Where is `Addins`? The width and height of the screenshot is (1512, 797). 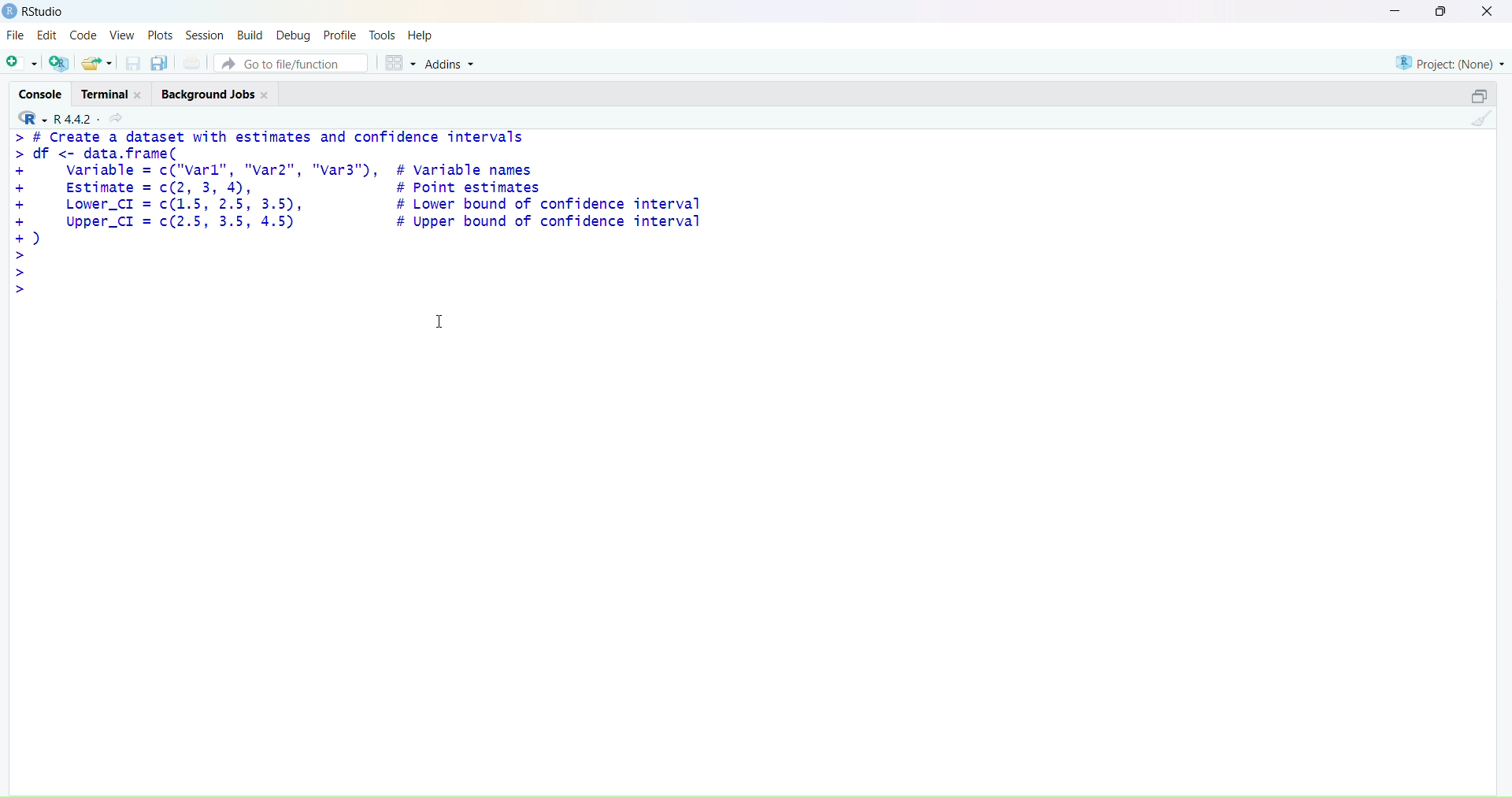
Addins is located at coordinates (449, 64).